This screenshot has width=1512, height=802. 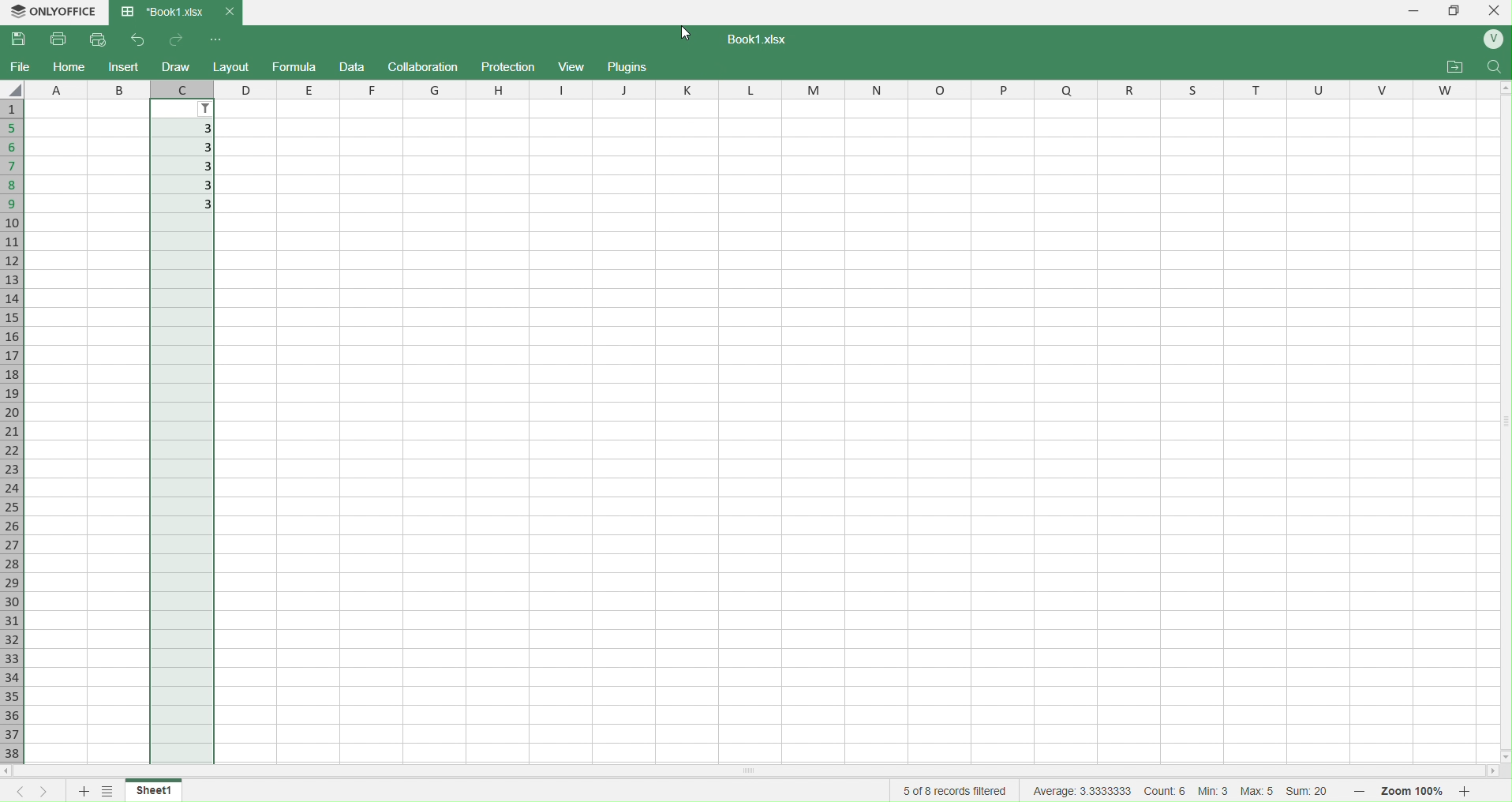 I want to click on undo, so click(x=133, y=41).